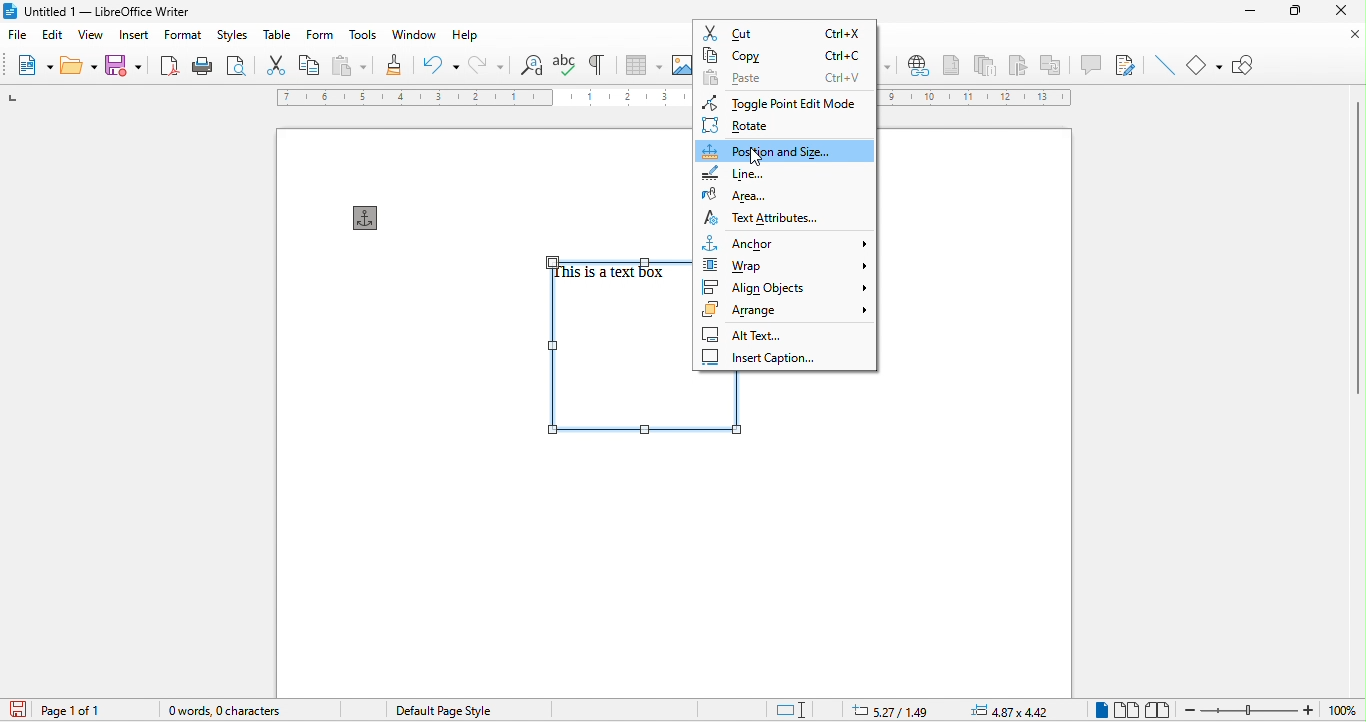 This screenshot has width=1366, height=722. Describe the element at coordinates (787, 310) in the screenshot. I see `arrange` at that location.